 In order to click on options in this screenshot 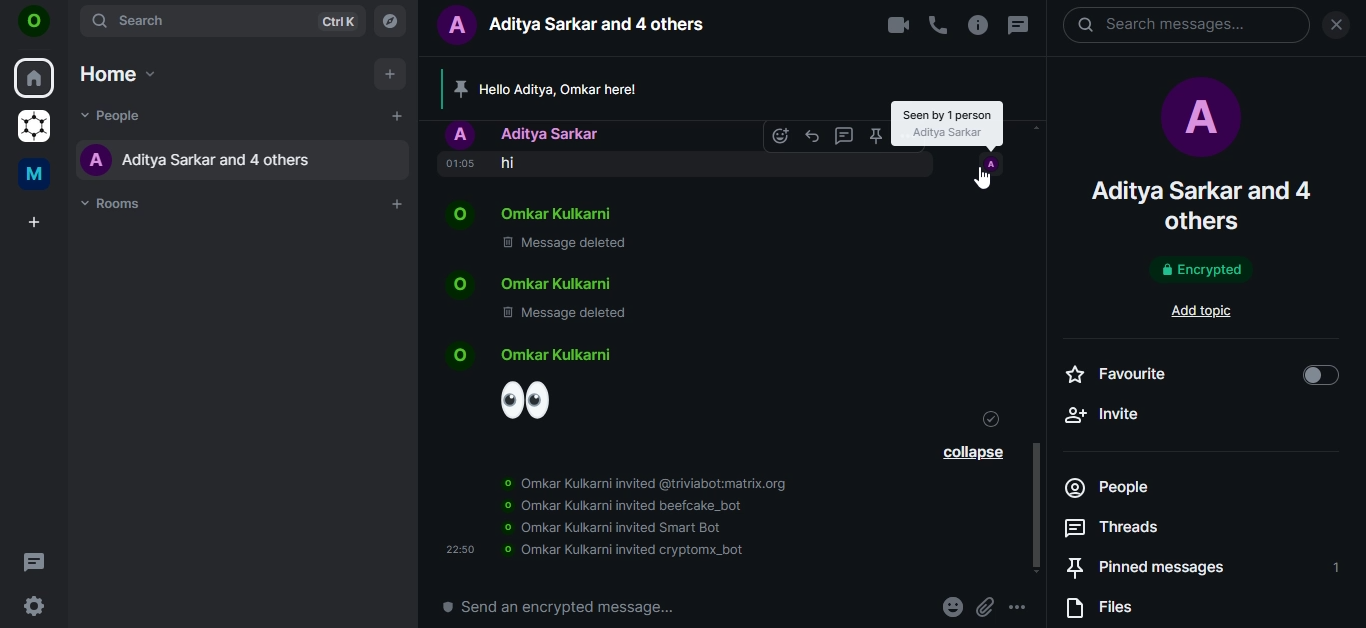, I will do `click(1019, 607)`.